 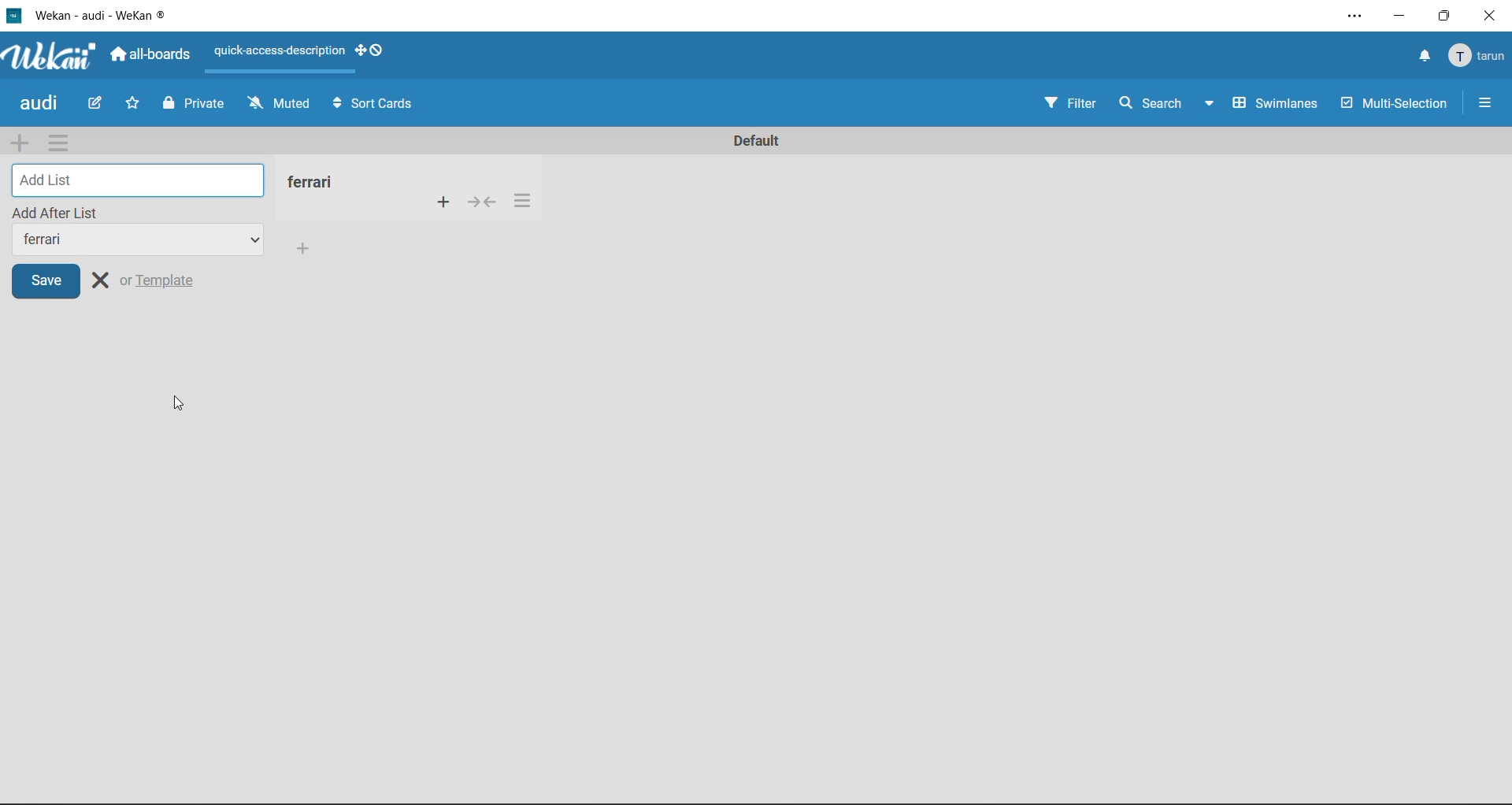 What do you see at coordinates (1210, 102) in the screenshot?
I see `Down-arrow` at bounding box center [1210, 102].